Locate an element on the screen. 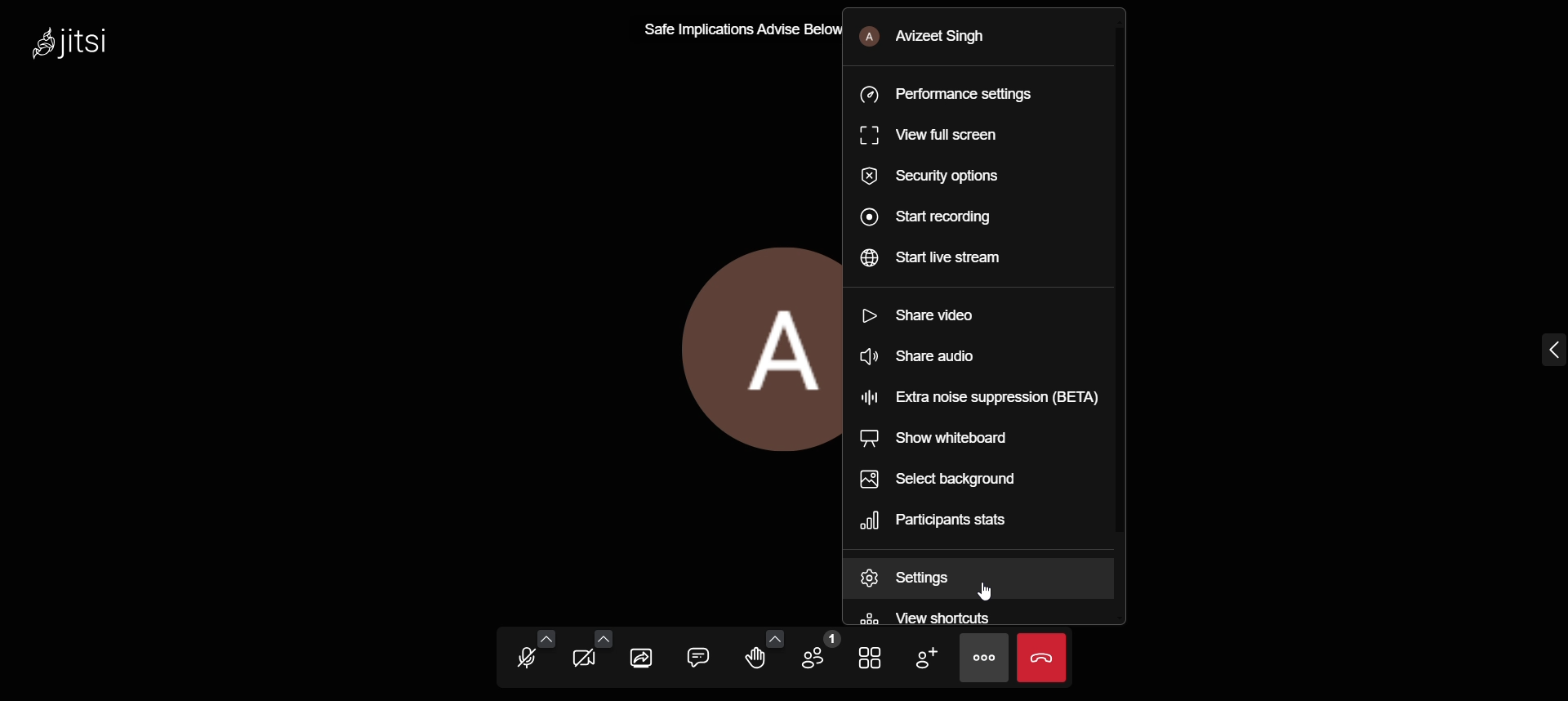  view full menu is located at coordinates (956, 136).